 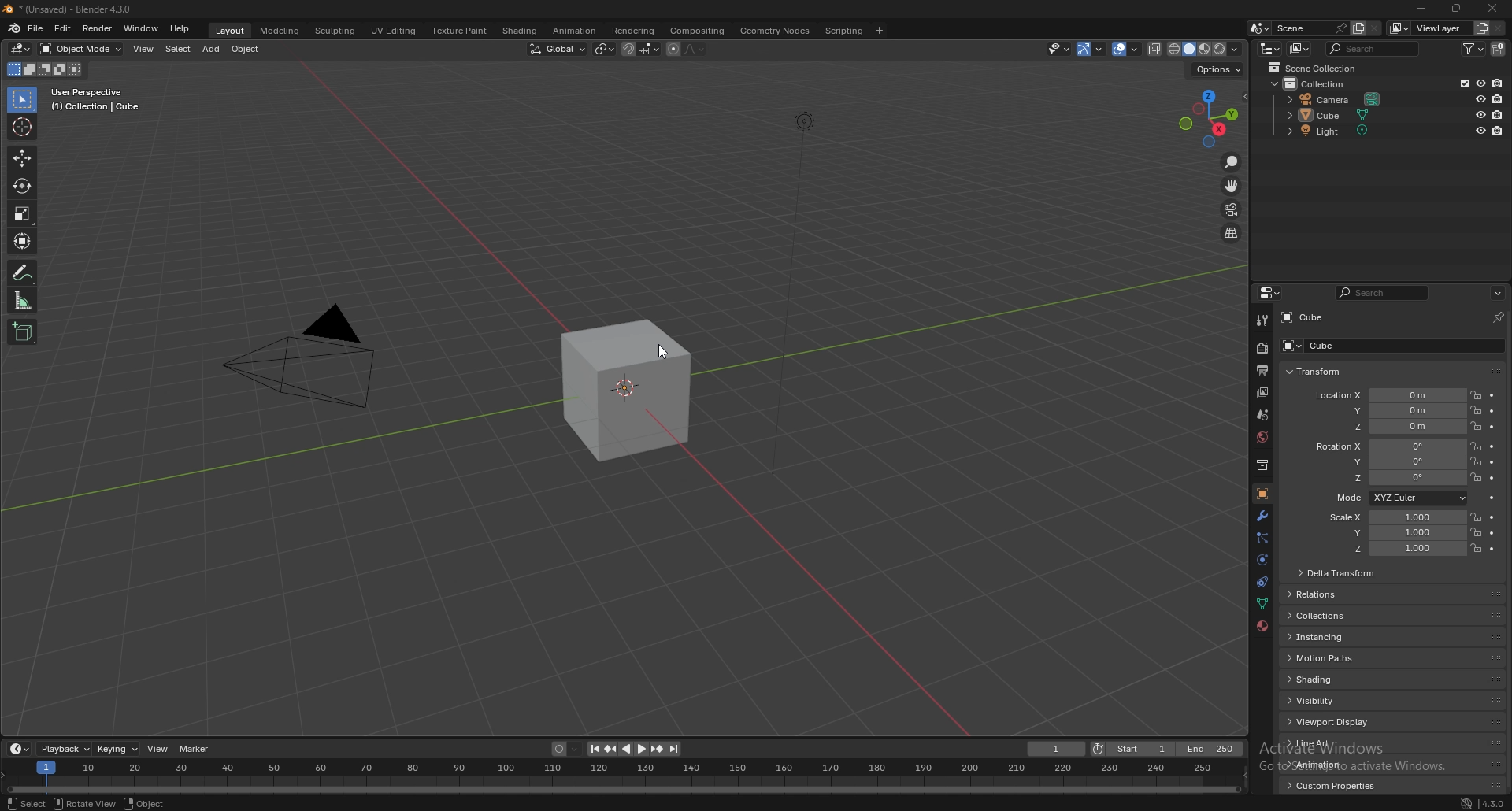 What do you see at coordinates (1498, 28) in the screenshot?
I see `remove view layer` at bounding box center [1498, 28].